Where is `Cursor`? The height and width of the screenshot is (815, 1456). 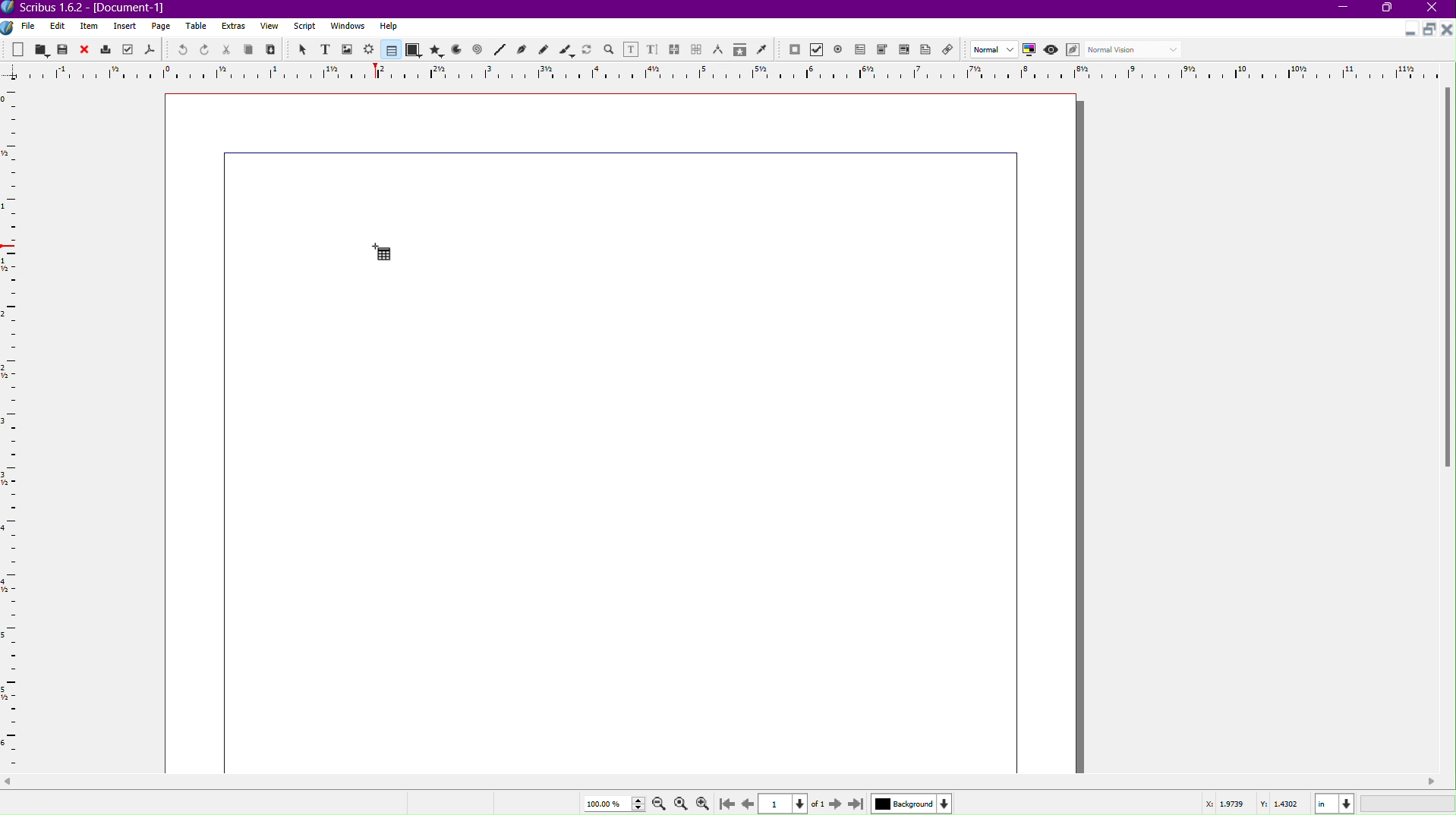 Cursor is located at coordinates (377, 252).